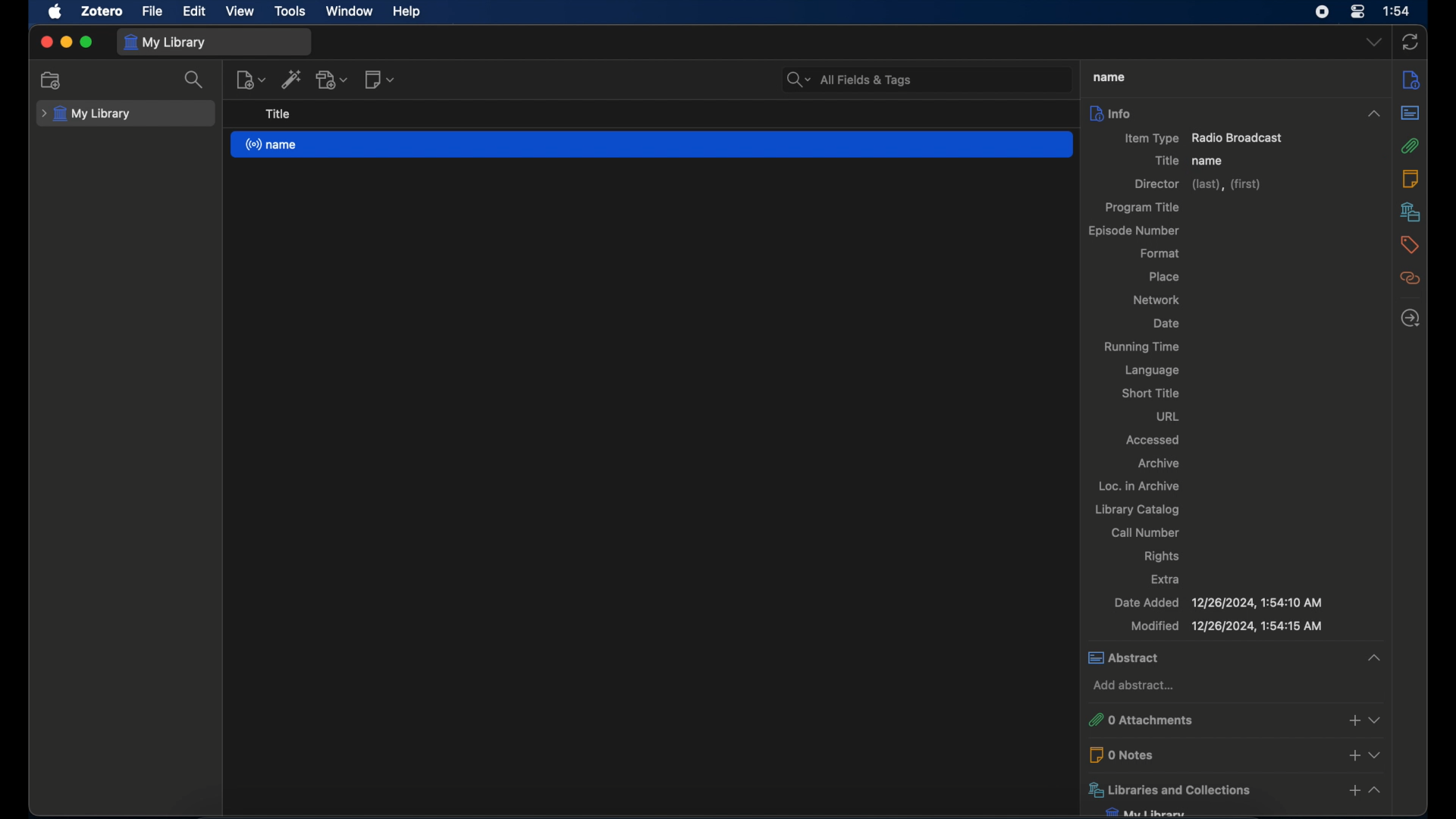 The image size is (1456, 819). I want to click on title, so click(1165, 160).